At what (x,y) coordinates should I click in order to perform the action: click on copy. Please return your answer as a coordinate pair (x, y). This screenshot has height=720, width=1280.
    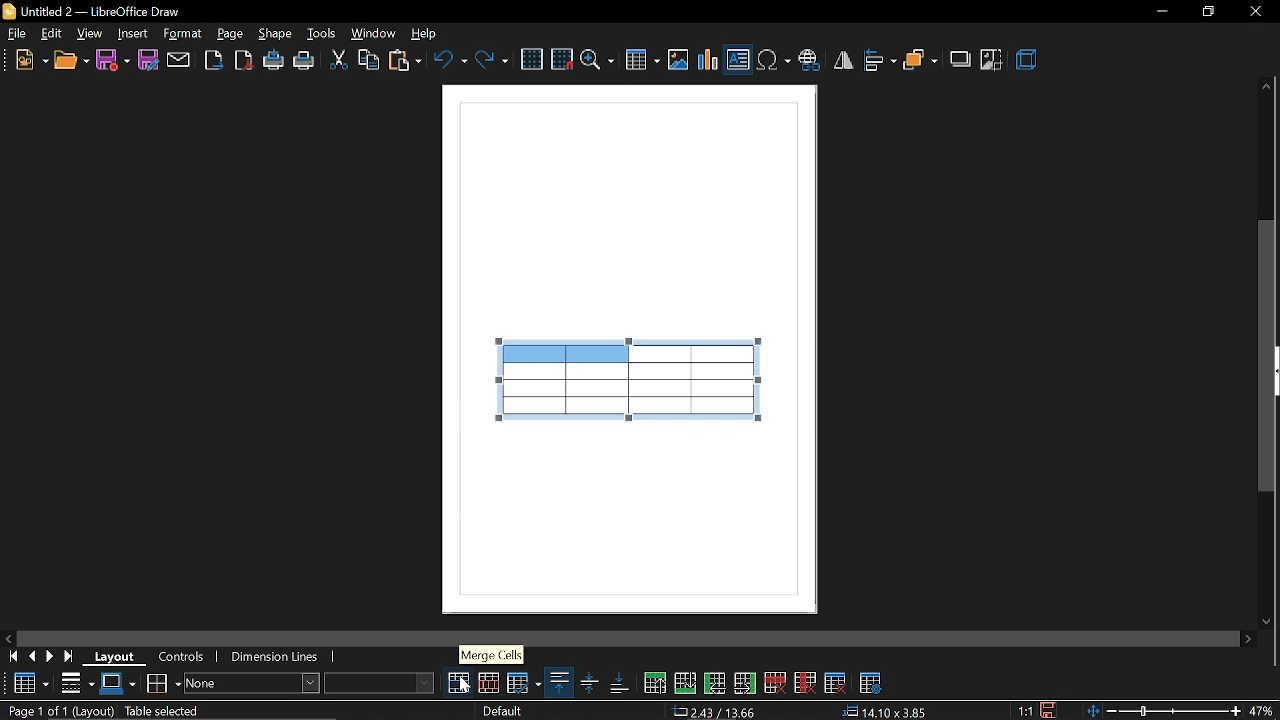
    Looking at the image, I should click on (367, 61).